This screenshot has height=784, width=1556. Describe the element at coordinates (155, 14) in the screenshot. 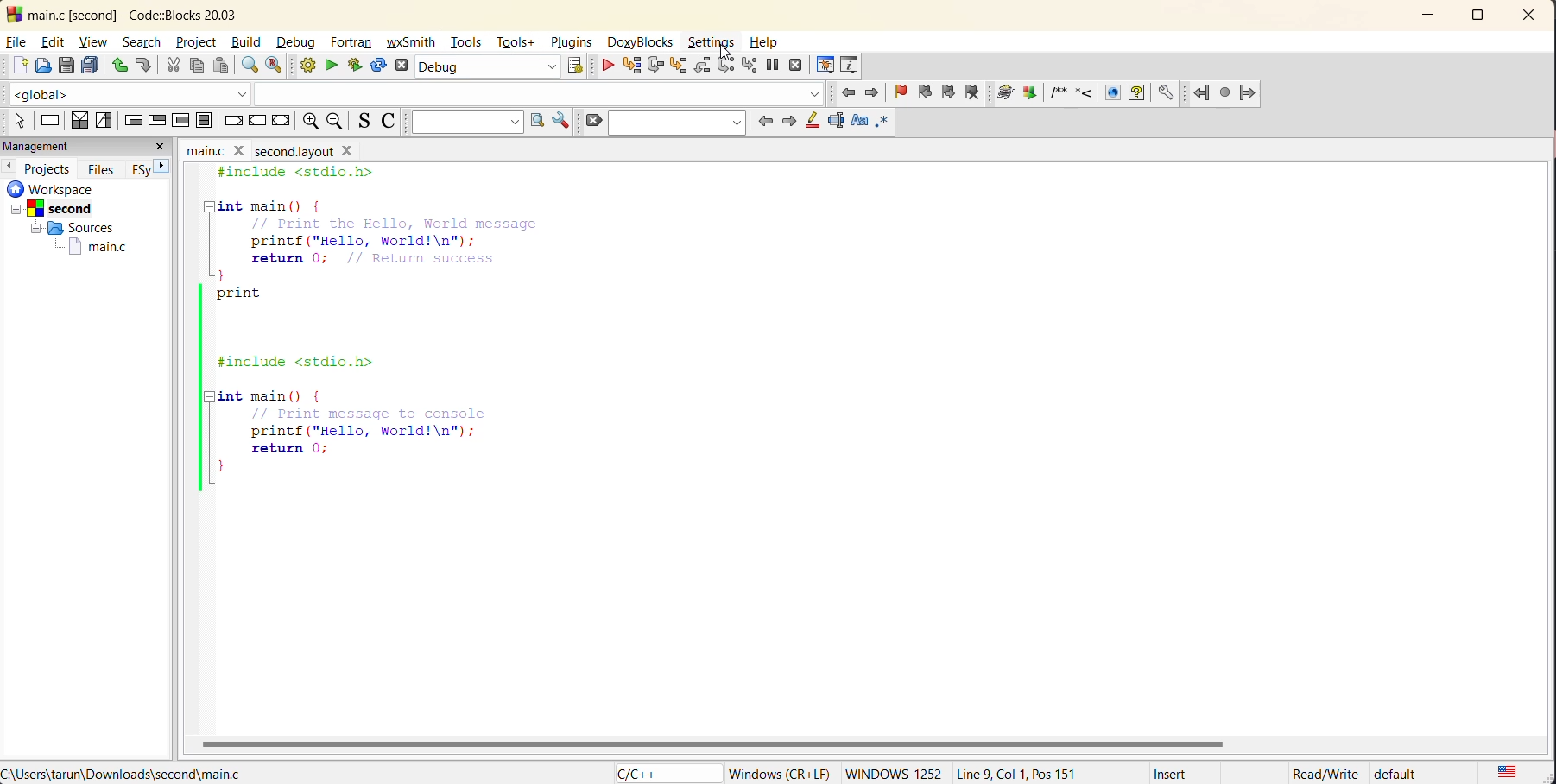

I see `app name and file name` at that location.